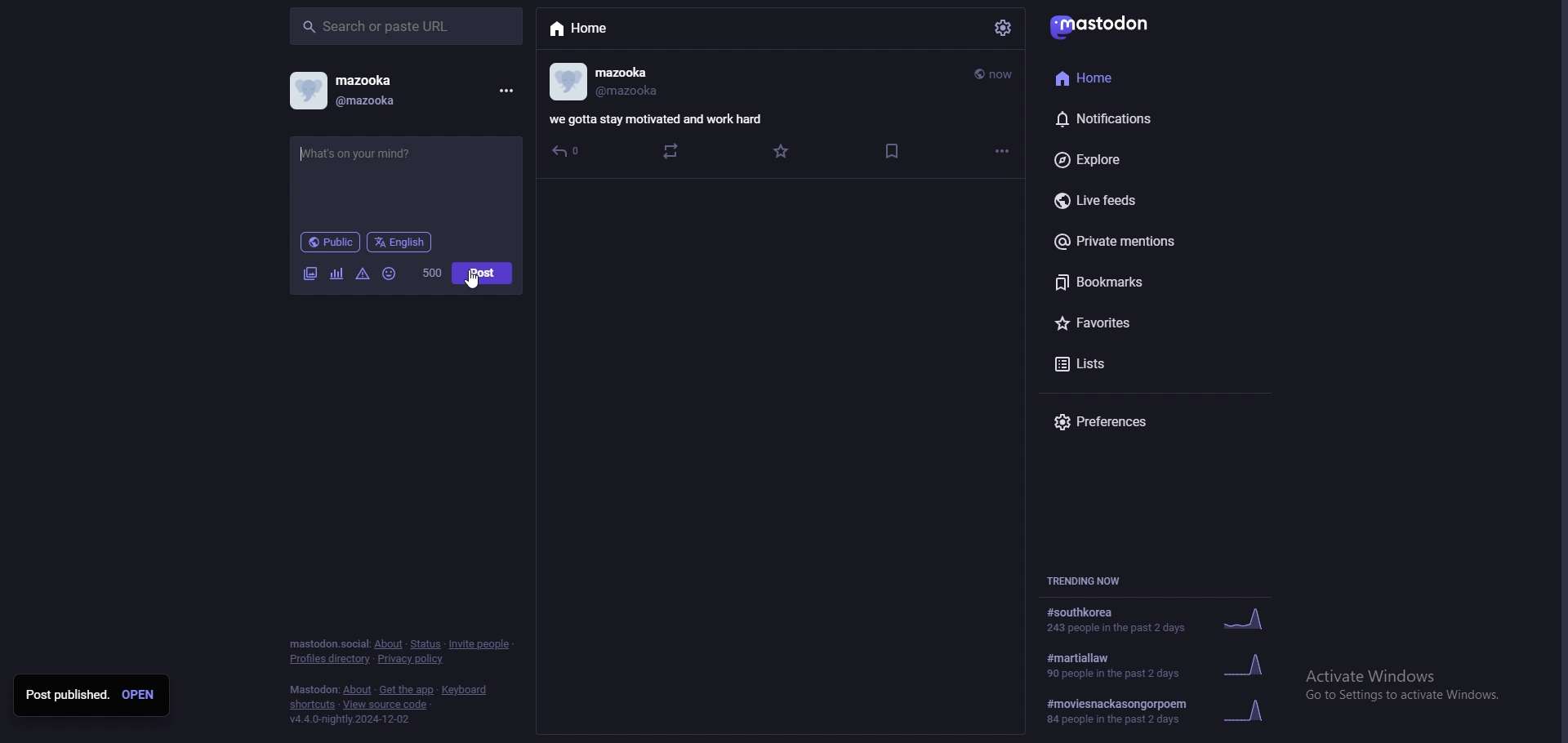 This screenshot has height=743, width=1568. Describe the element at coordinates (311, 705) in the screenshot. I see `shortcuts` at that location.